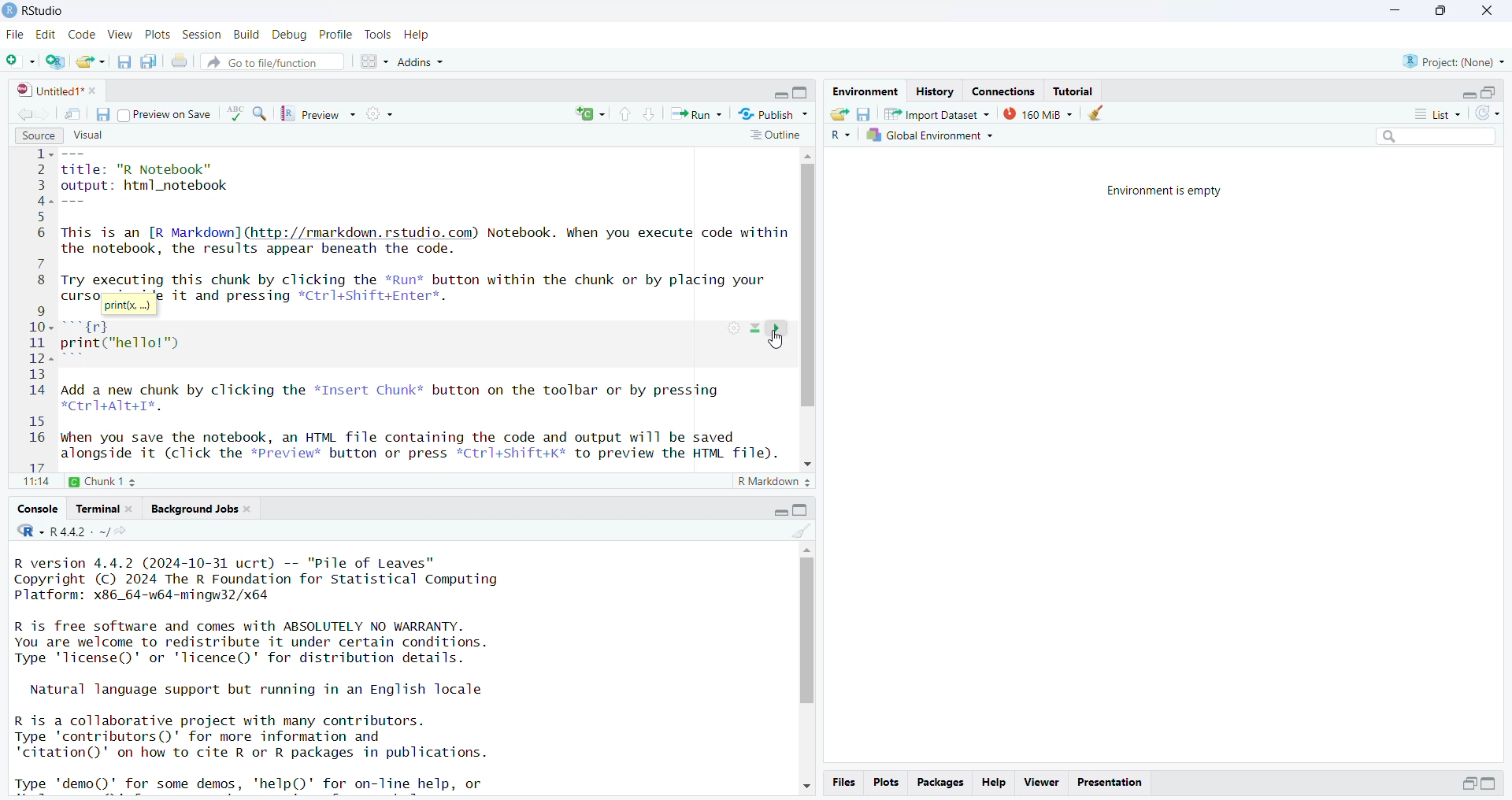 The image size is (1512, 800). I want to click on compile report, so click(382, 113).